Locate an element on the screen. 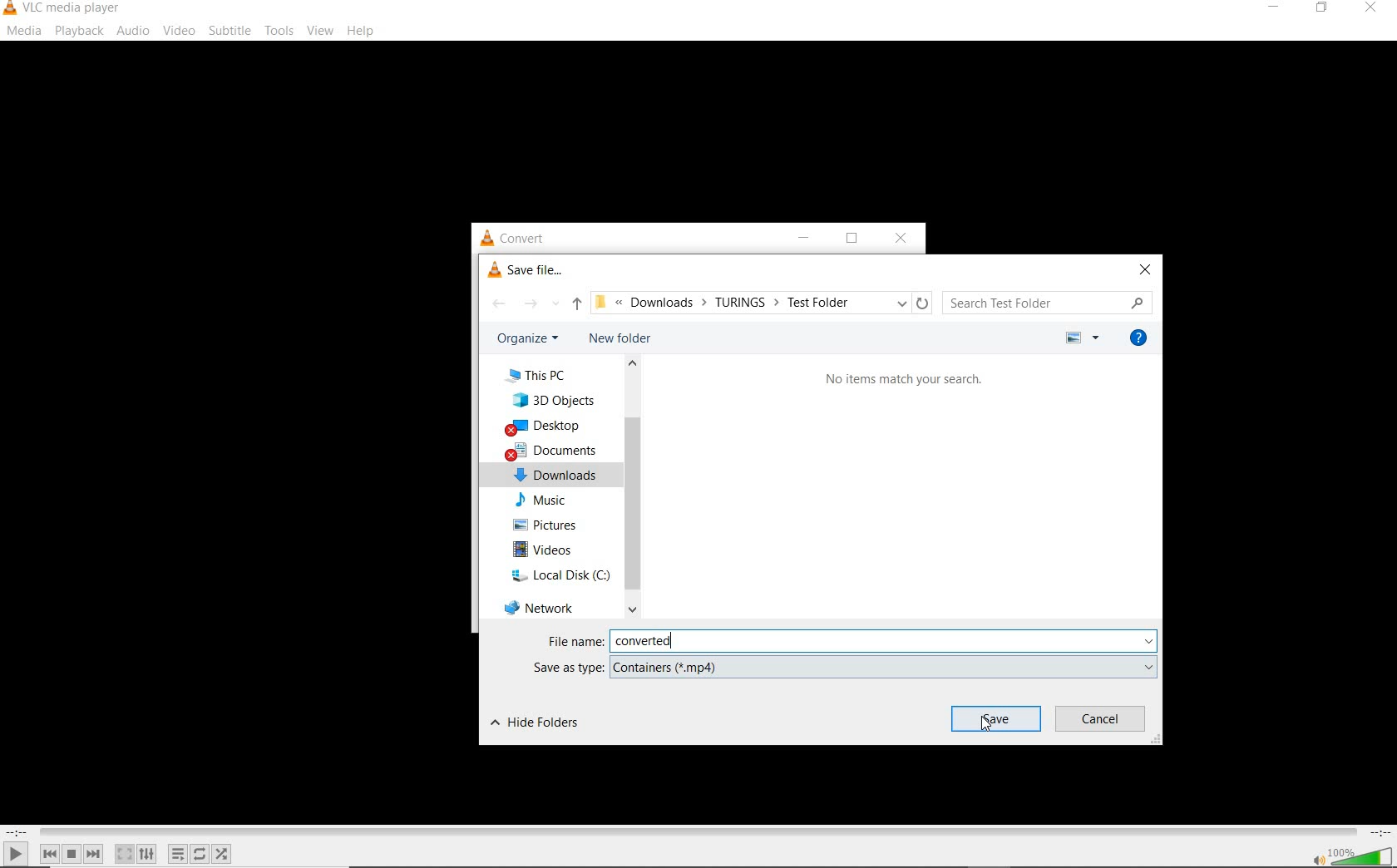  local disk (C:) is located at coordinates (556, 575).